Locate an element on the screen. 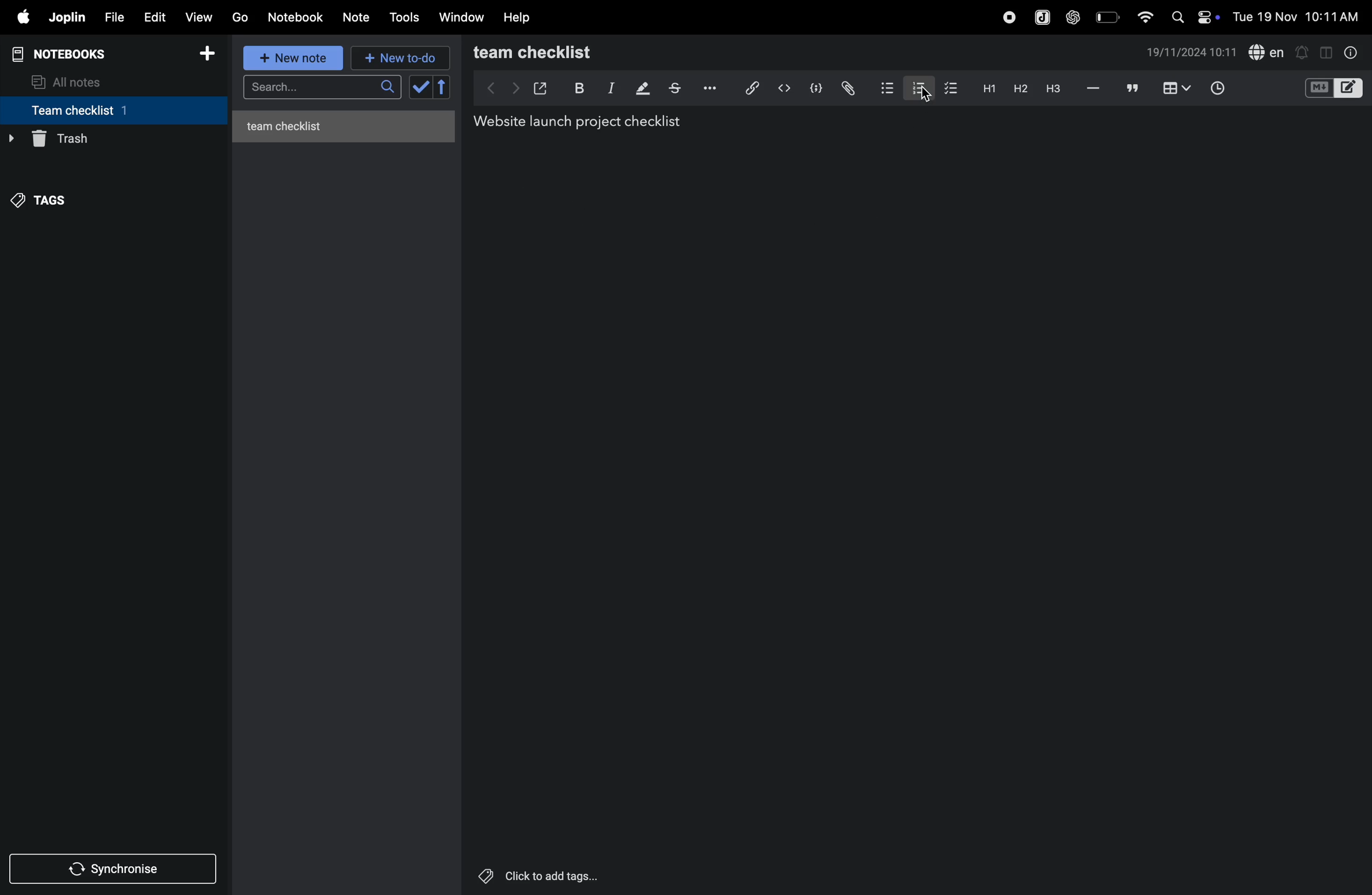 Image resolution: width=1372 pixels, height=895 pixels. view is located at coordinates (201, 16).